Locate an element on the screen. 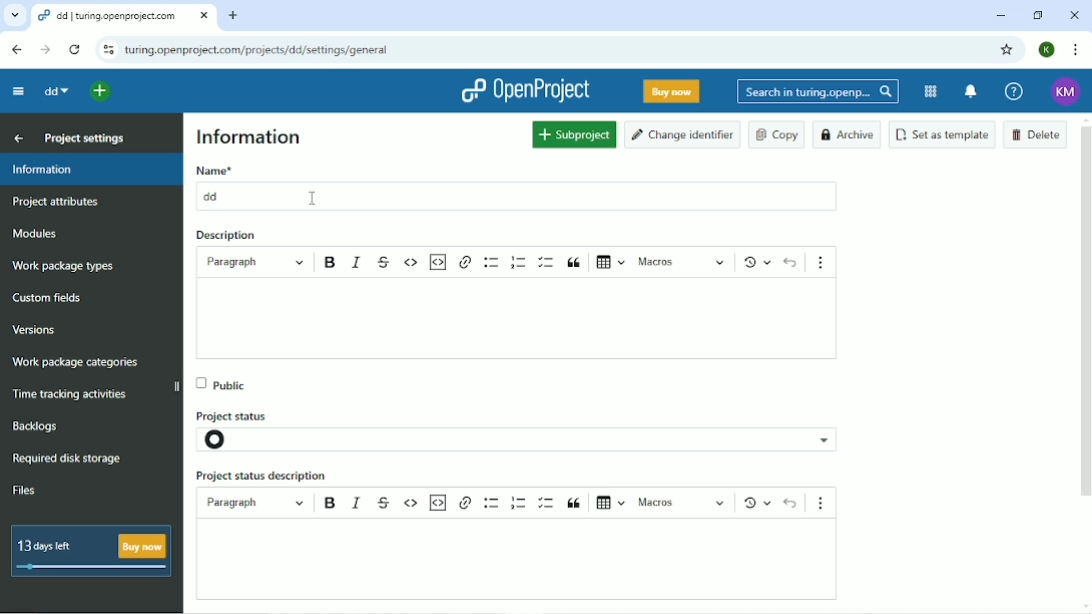 This screenshot has height=614, width=1092. bold is located at coordinates (328, 502).